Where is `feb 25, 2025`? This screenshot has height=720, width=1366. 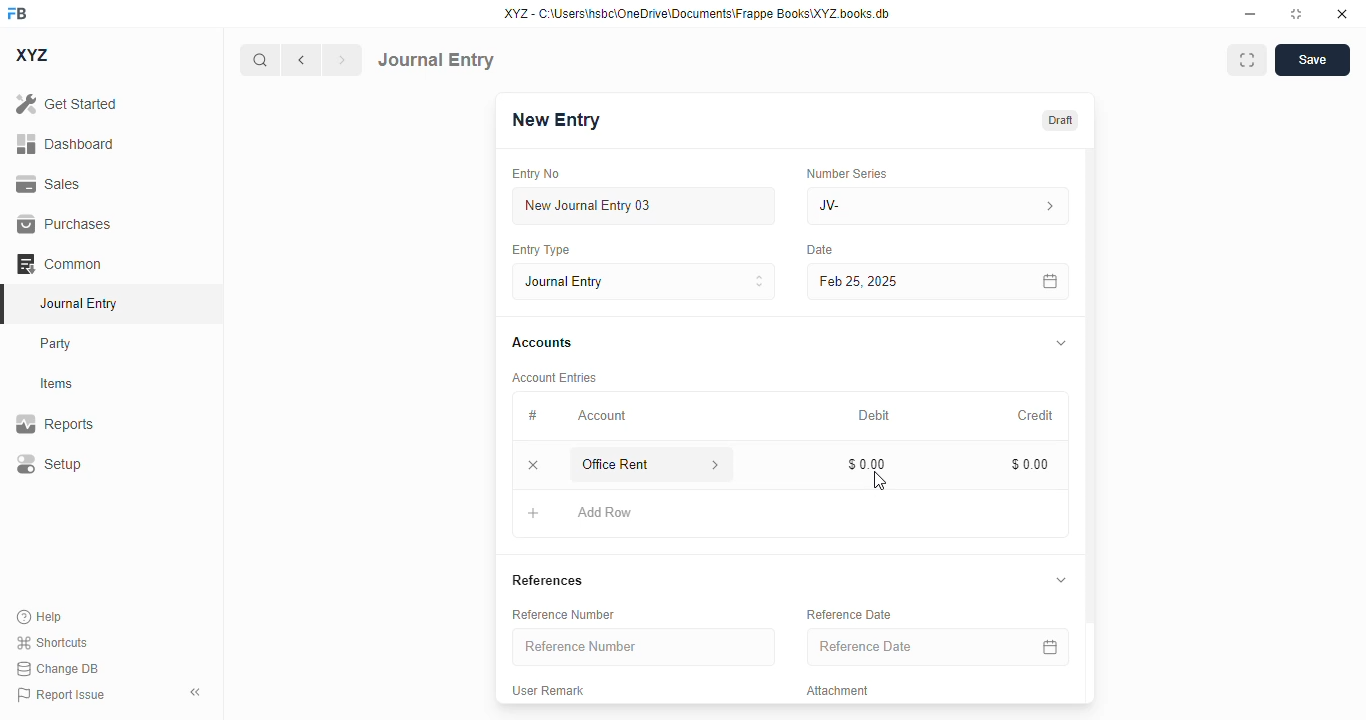
feb 25, 2025 is located at coordinates (910, 282).